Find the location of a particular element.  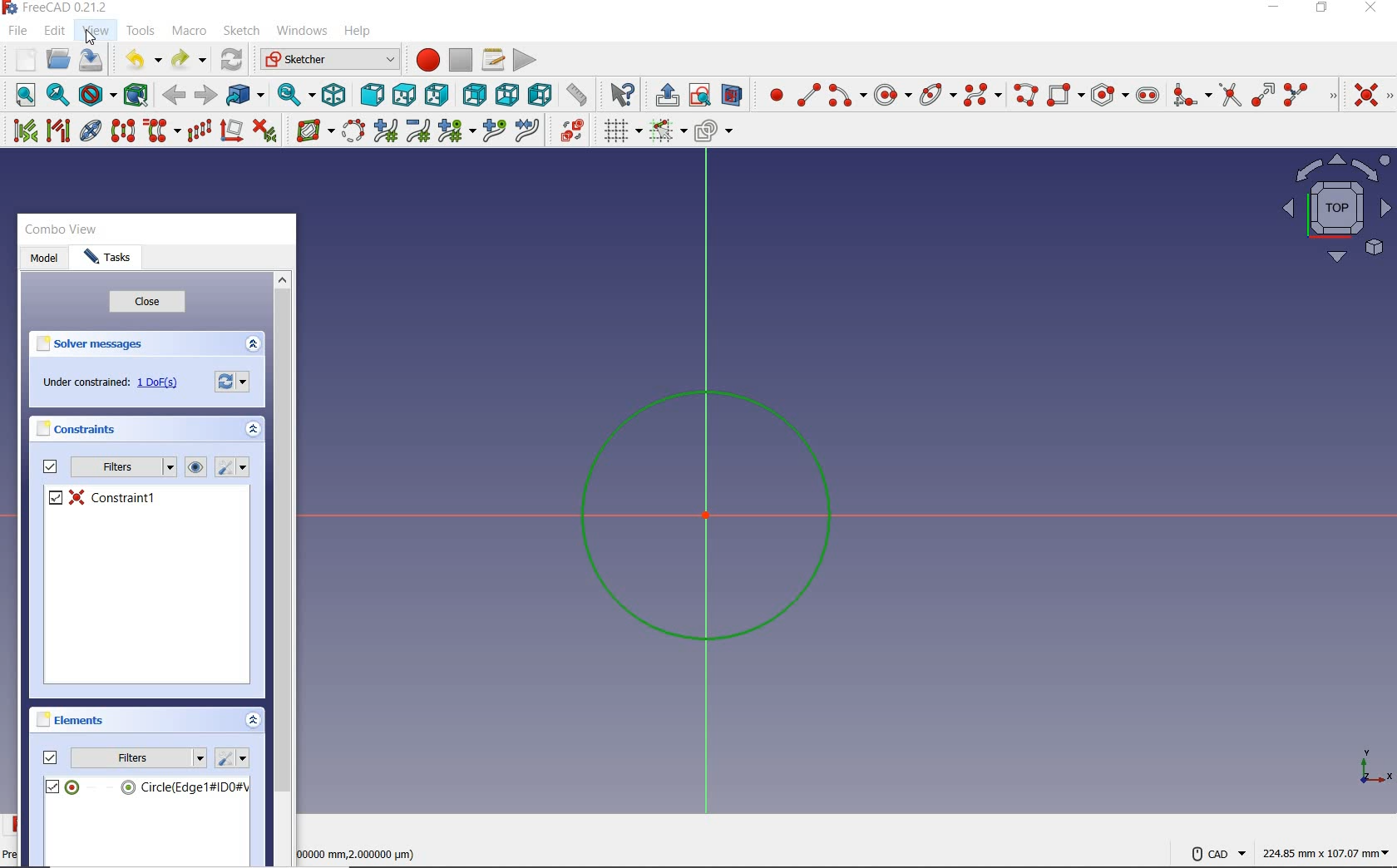

create line is located at coordinates (807, 96).